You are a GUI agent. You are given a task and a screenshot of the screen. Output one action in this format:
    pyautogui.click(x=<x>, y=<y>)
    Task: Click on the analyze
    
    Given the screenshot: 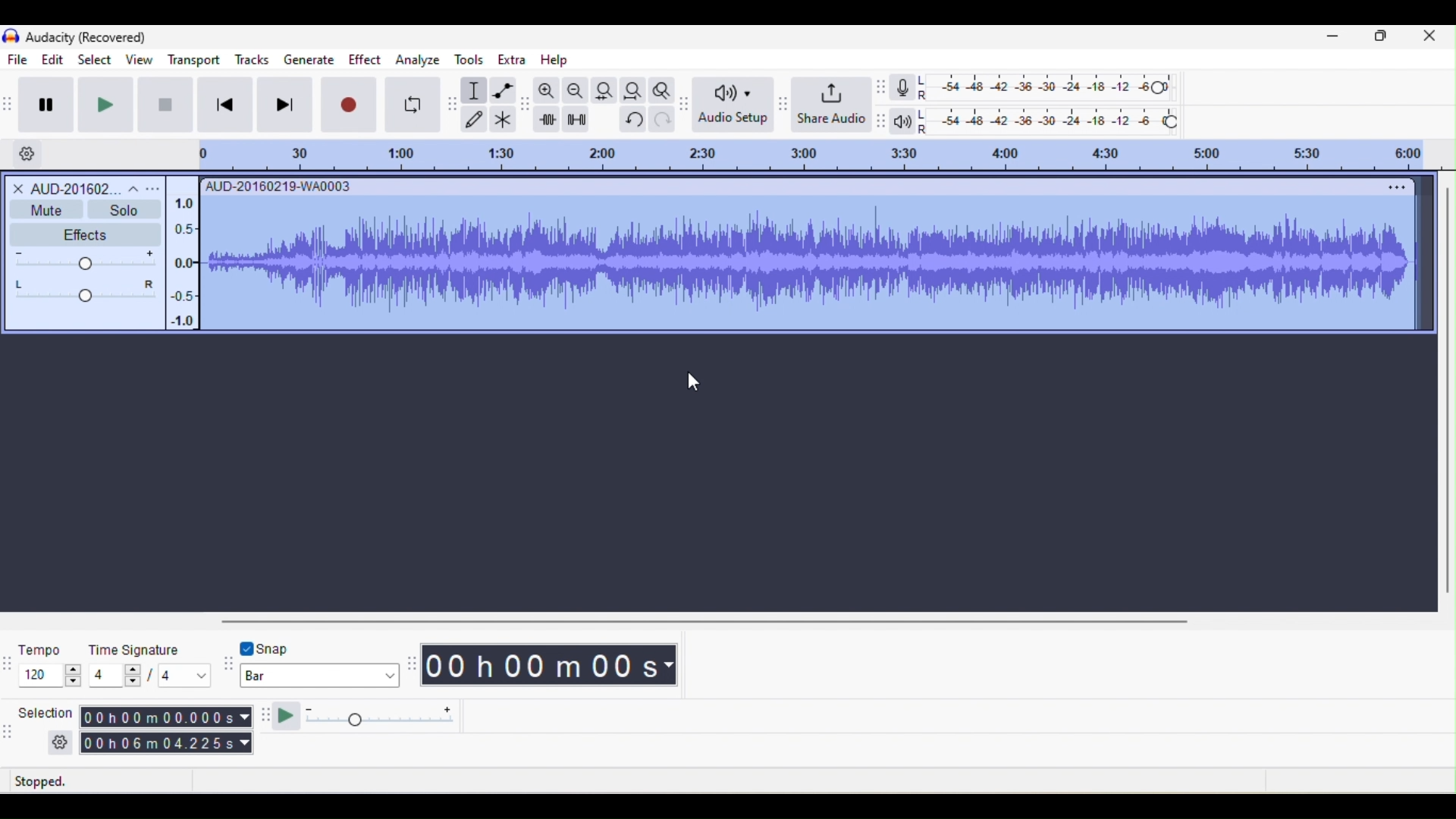 What is the action you would take?
    pyautogui.click(x=417, y=62)
    